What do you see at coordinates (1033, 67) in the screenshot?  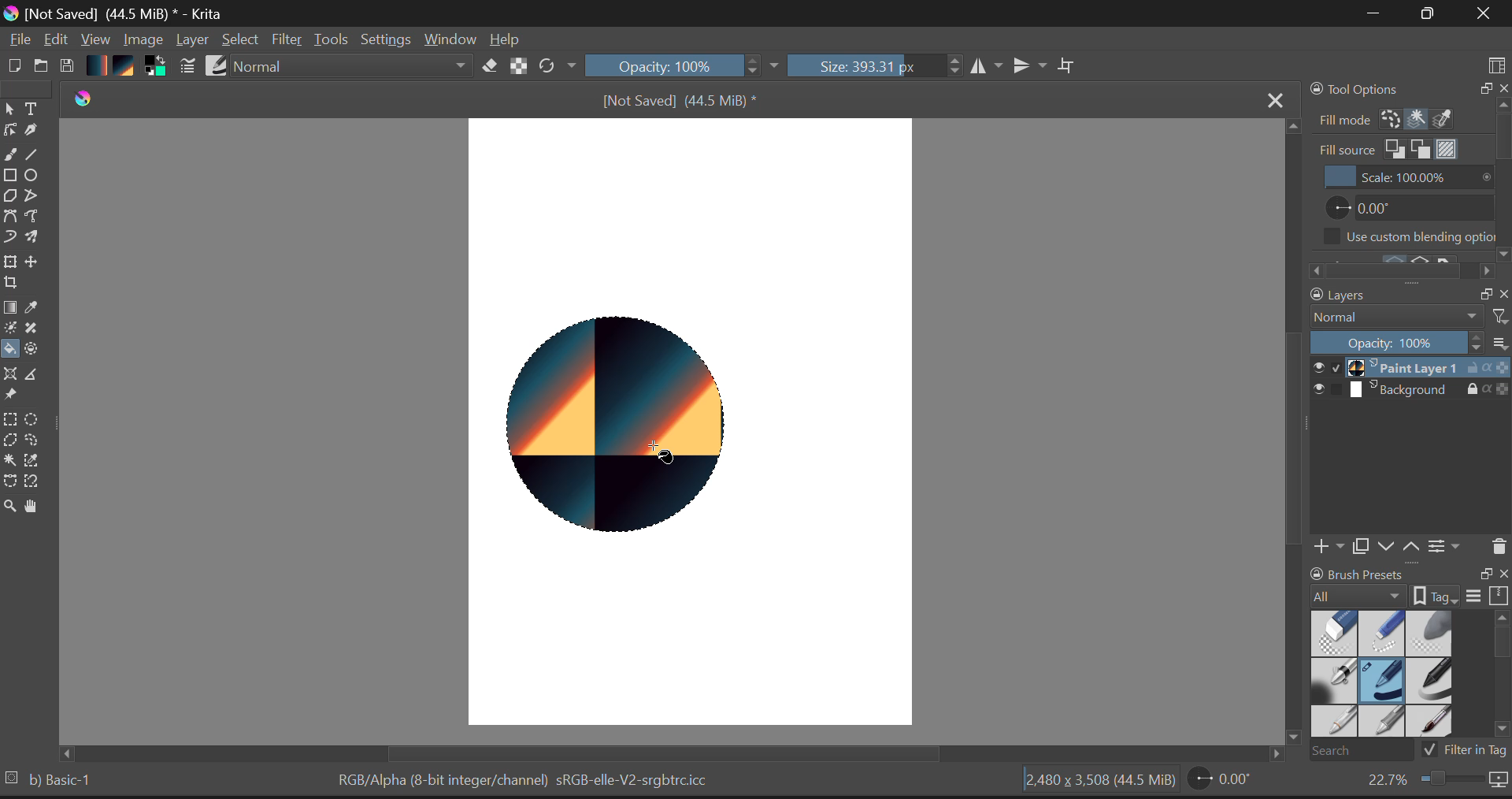 I see `Horizontal Mirror Flip` at bounding box center [1033, 67].